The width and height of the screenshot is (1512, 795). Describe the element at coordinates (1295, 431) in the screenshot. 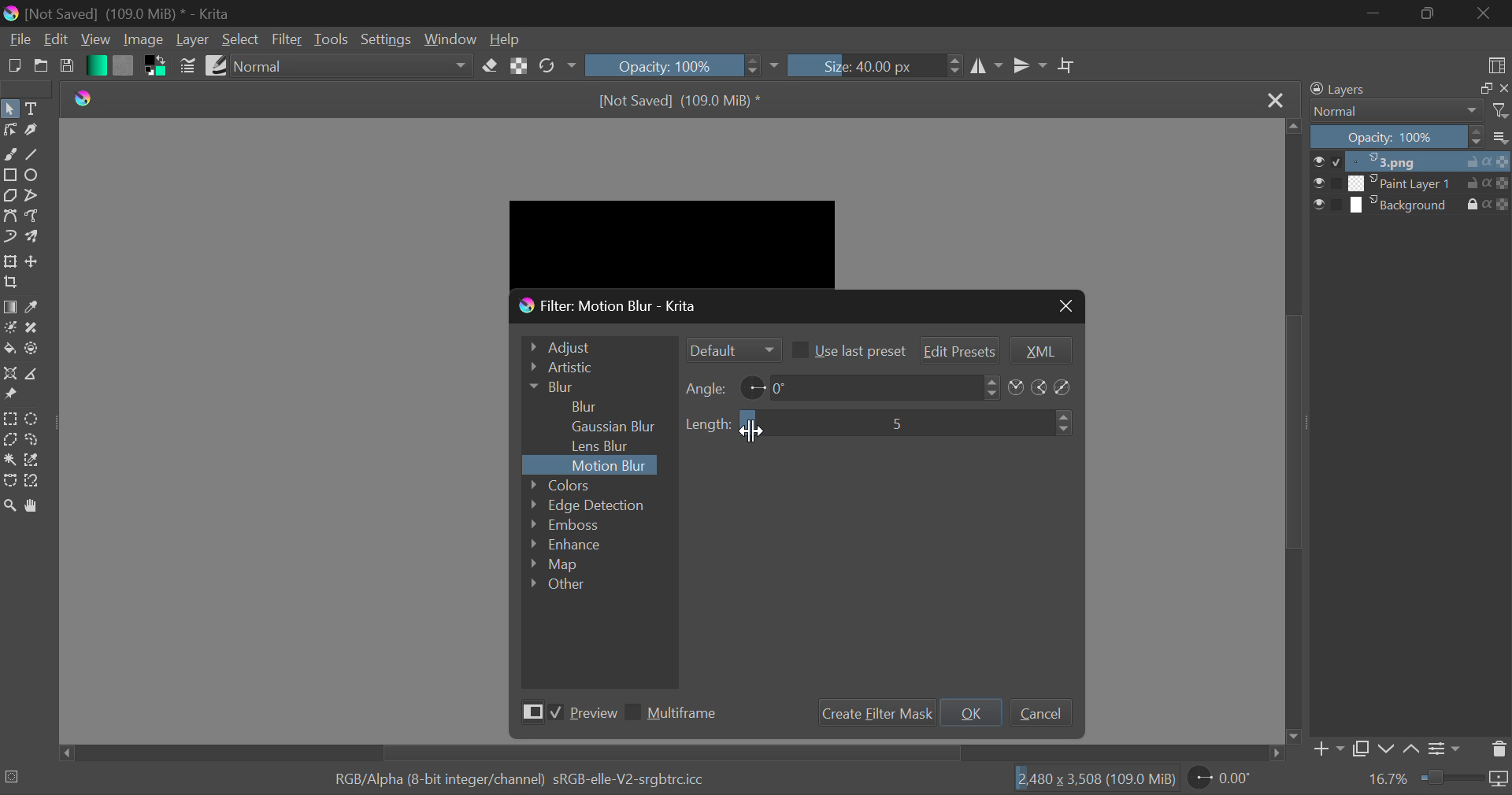

I see `Scroll Bar` at that location.